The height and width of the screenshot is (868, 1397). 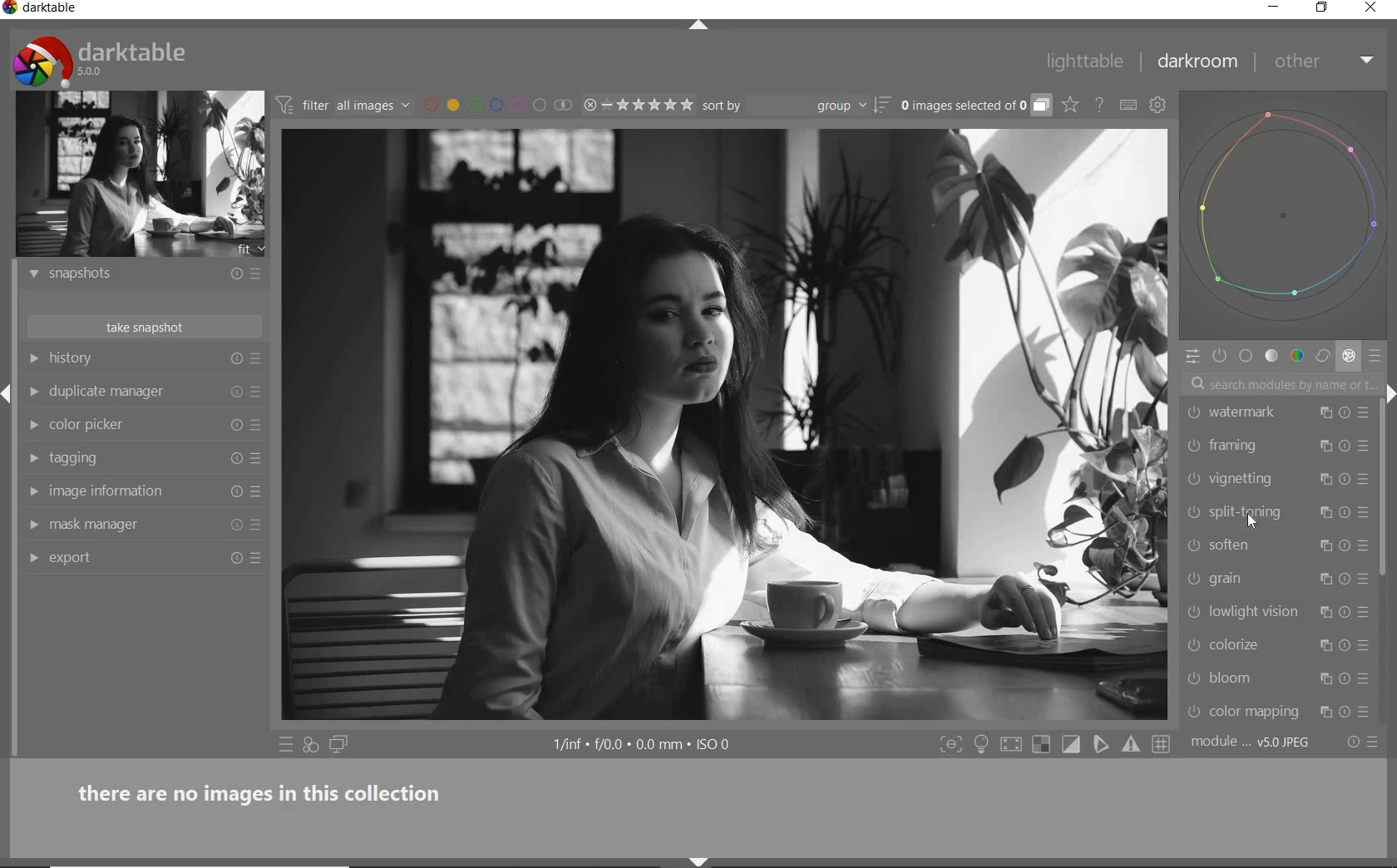 I want to click on expand grouped images, so click(x=975, y=106).